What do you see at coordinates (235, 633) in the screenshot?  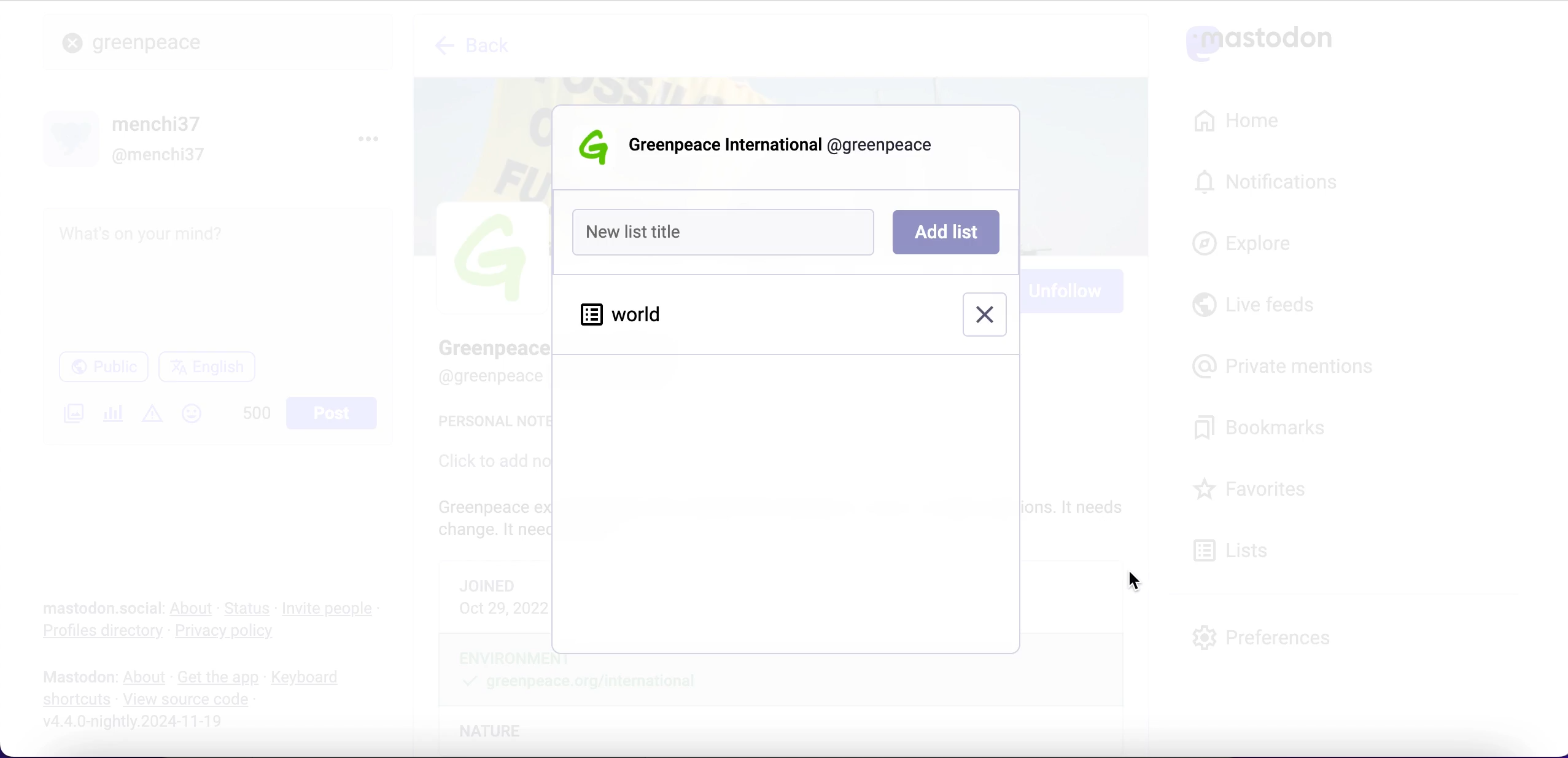 I see `privacy policy` at bounding box center [235, 633].